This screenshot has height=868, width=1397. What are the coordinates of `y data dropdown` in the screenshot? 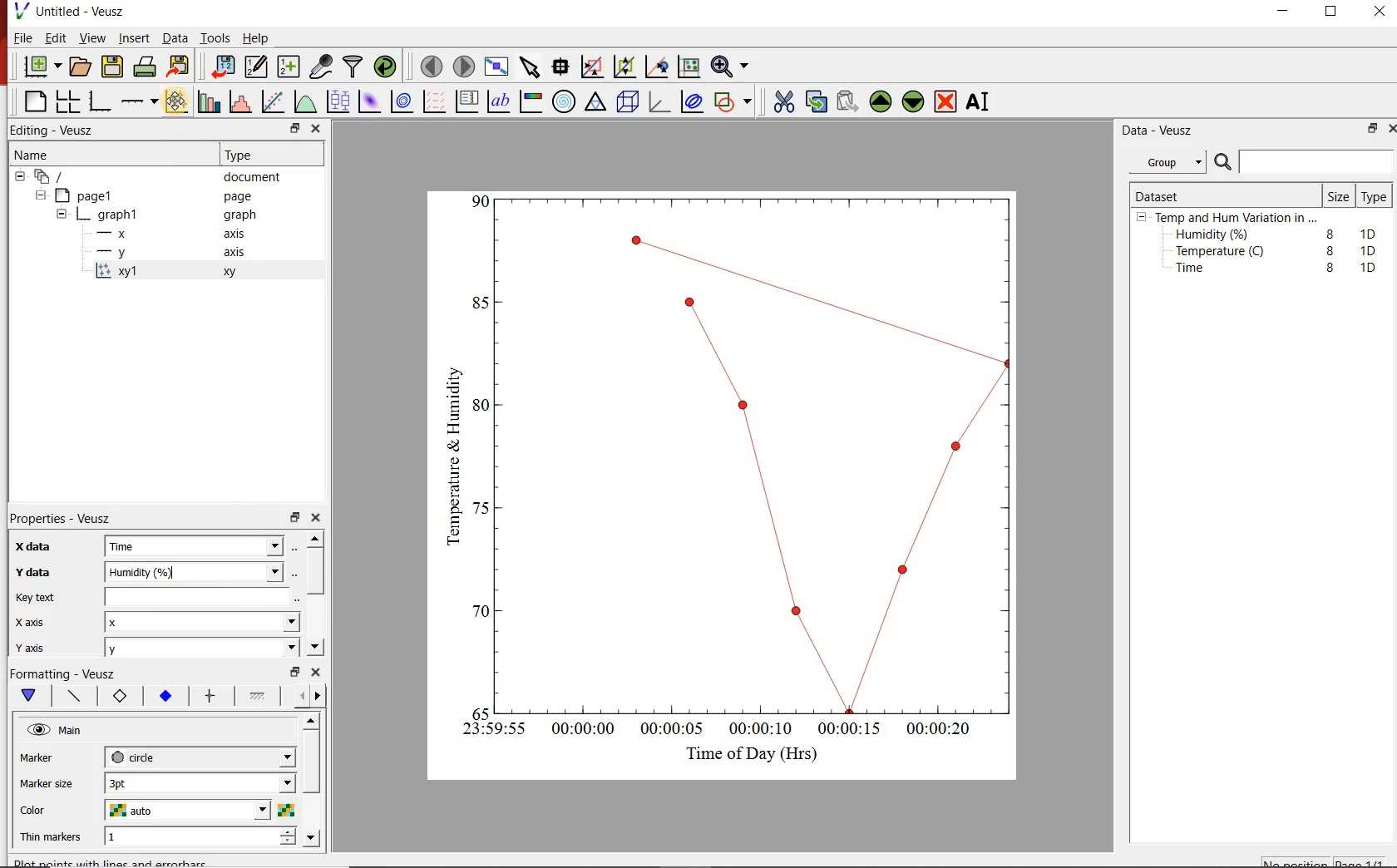 It's located at (249, 572).